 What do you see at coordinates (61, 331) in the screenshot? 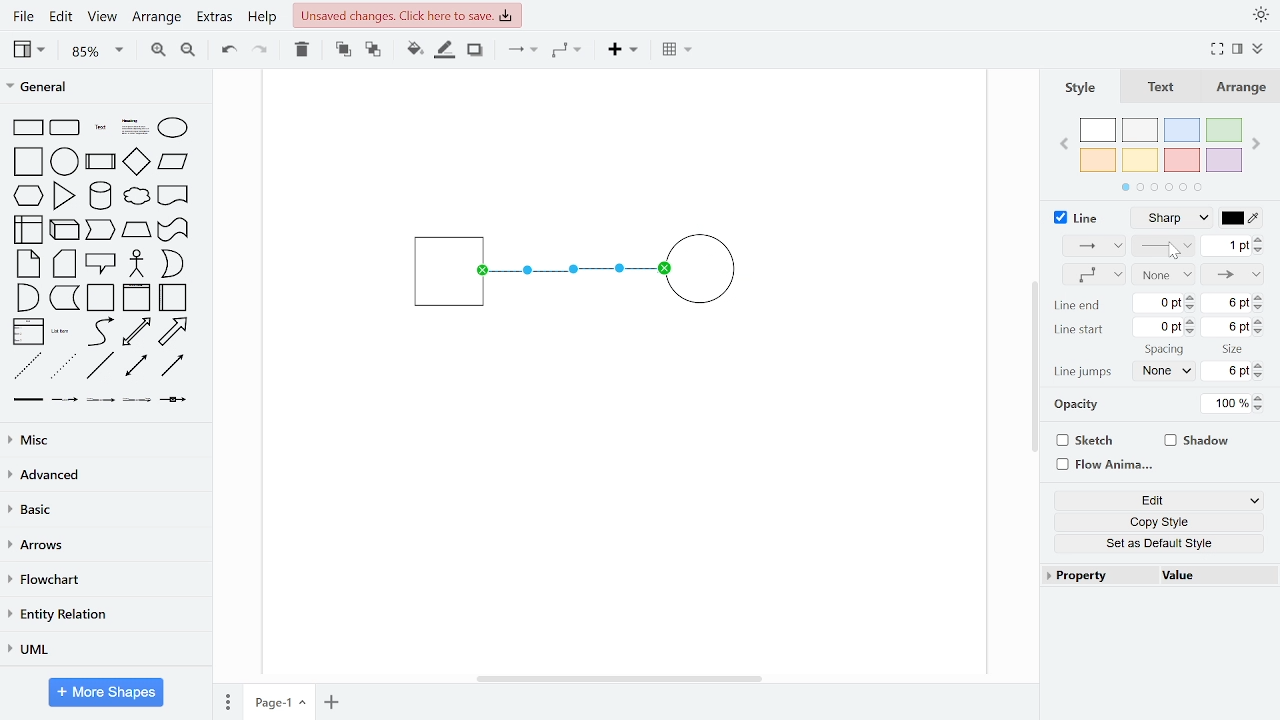
I see `list item` at bounding box center [61, 331].